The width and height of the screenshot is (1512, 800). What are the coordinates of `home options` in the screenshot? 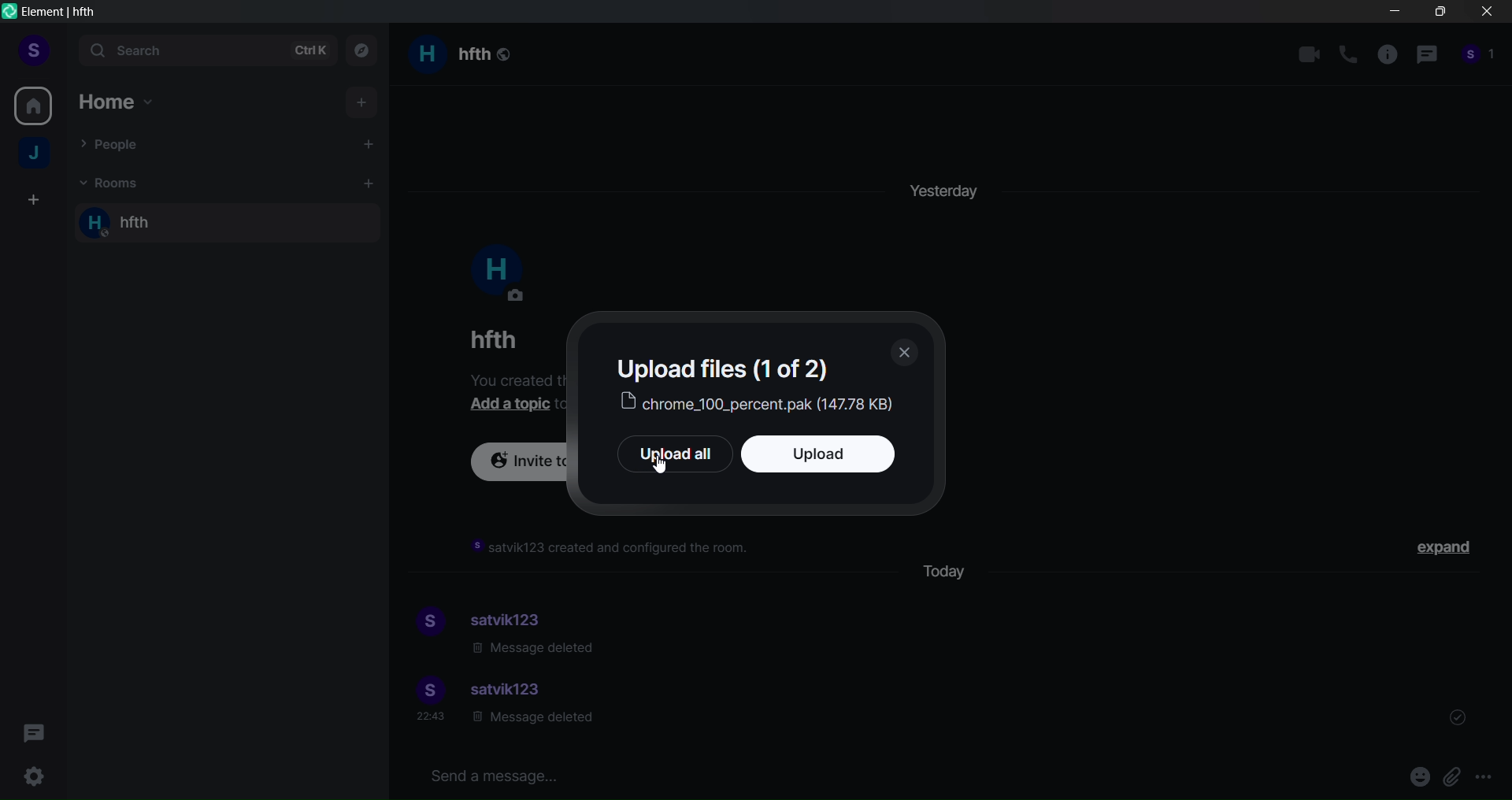 It's located at (128, 102).